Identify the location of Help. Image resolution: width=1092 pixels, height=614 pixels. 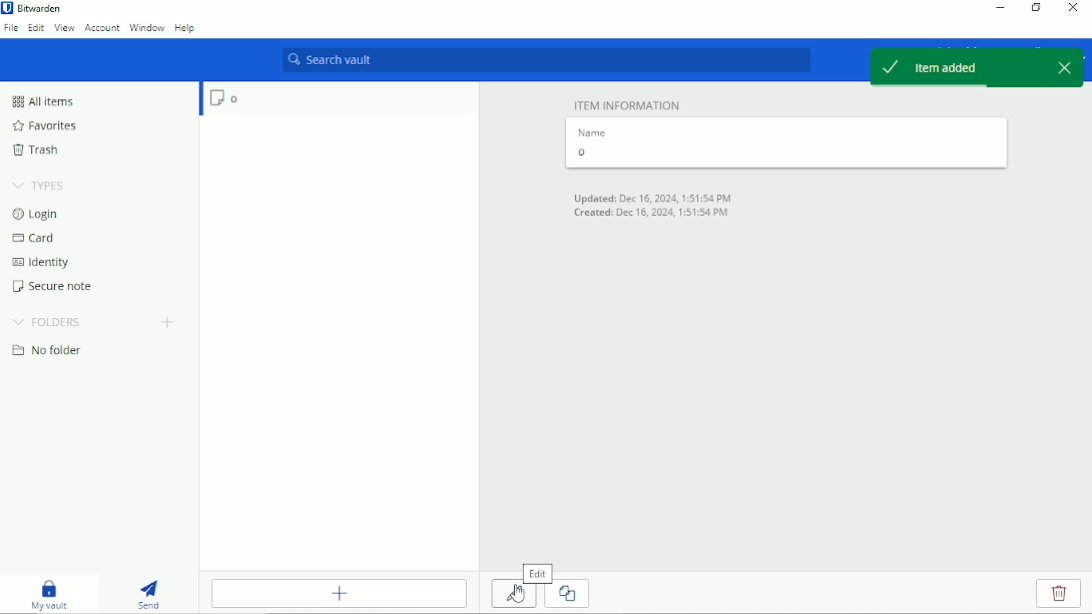
(185, 26).